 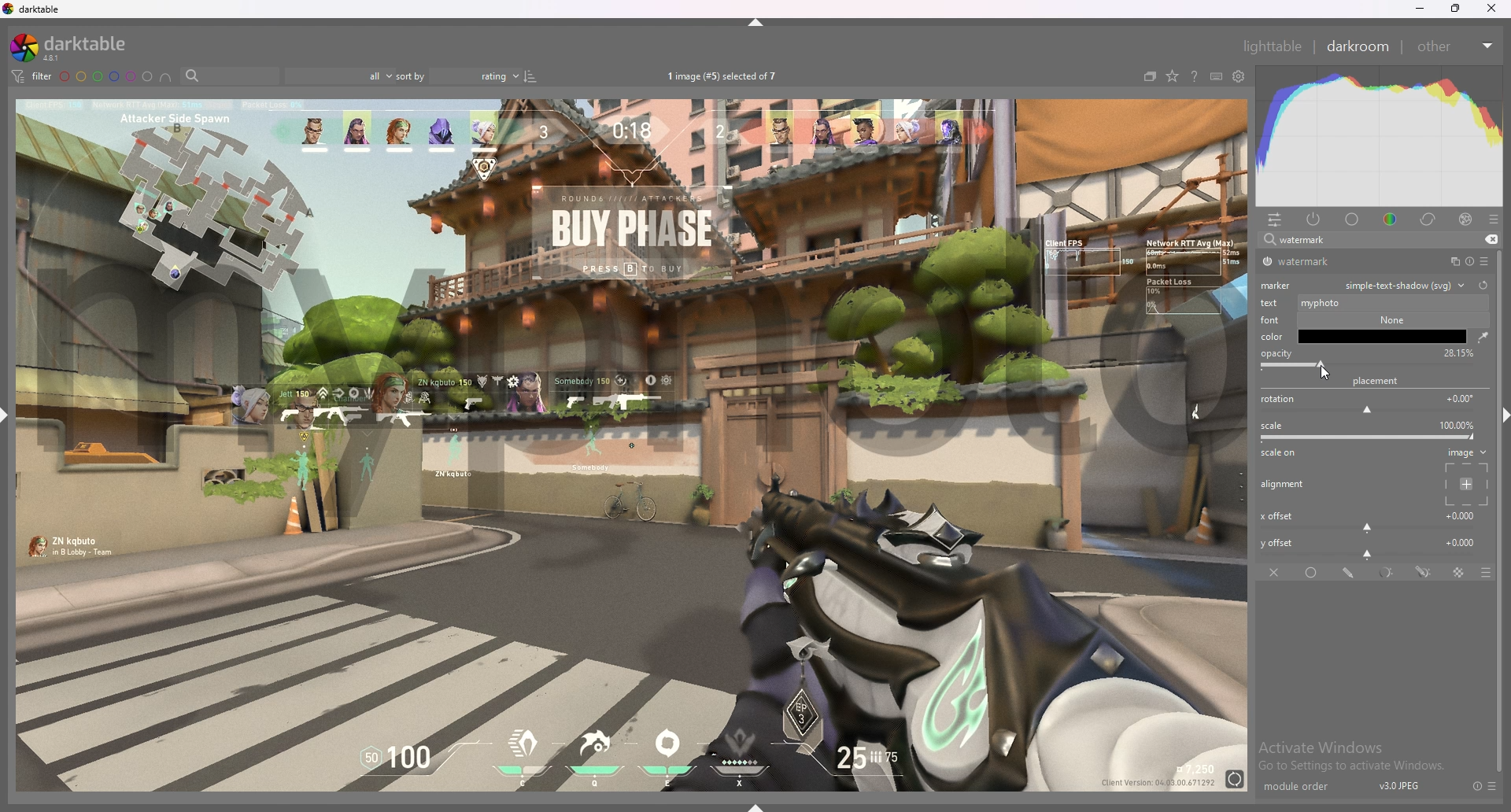 I want to click on lighttable, so click(x=1272, y=46).